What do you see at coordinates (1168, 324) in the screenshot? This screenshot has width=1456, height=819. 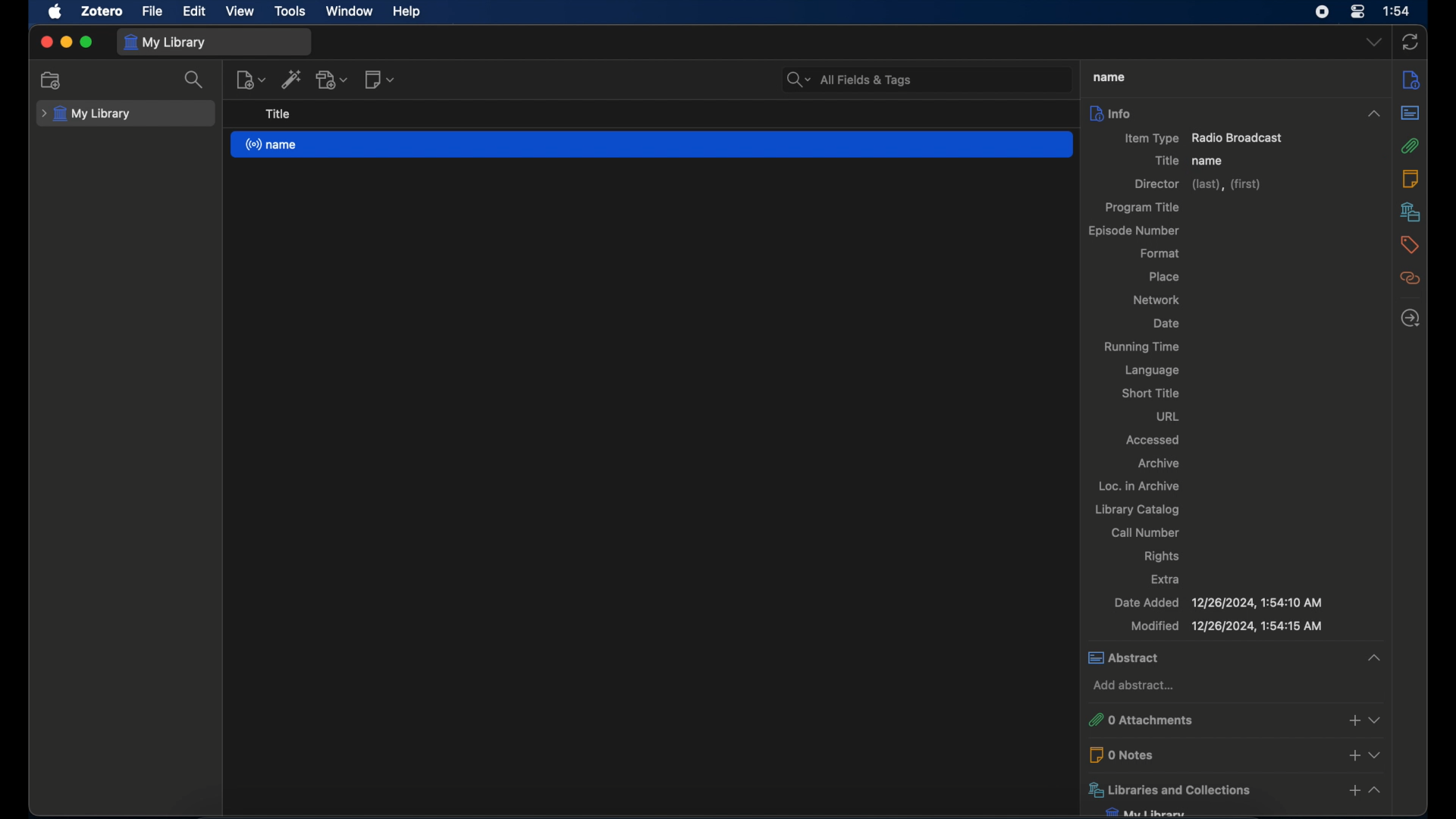 I see `date` at bounding box center [1168, 324].